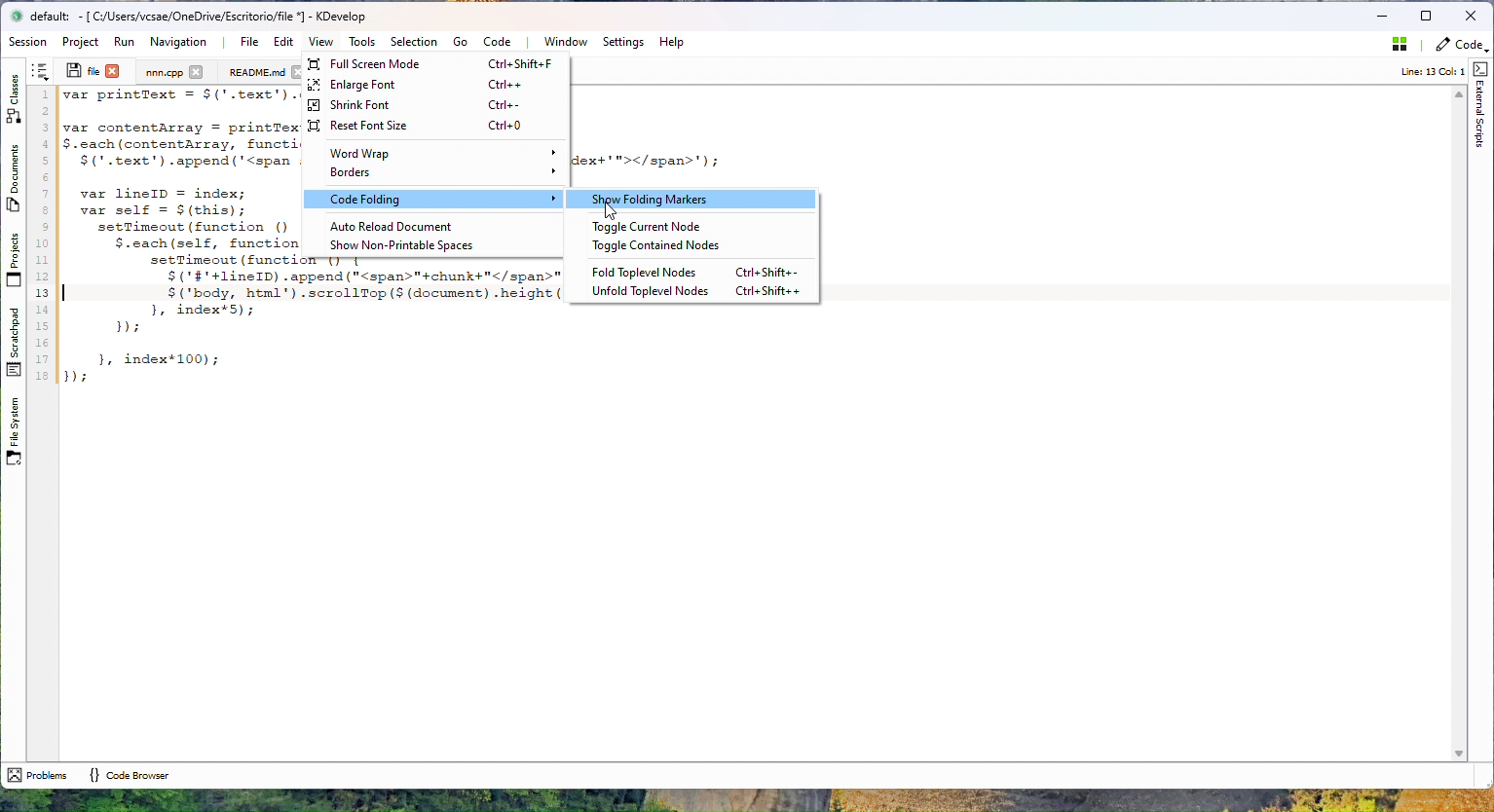 The height and width of the screenshot is (812, 1494). Describe the element at coordinates (37, 775) in the screenshot. I see `problems` at that location.